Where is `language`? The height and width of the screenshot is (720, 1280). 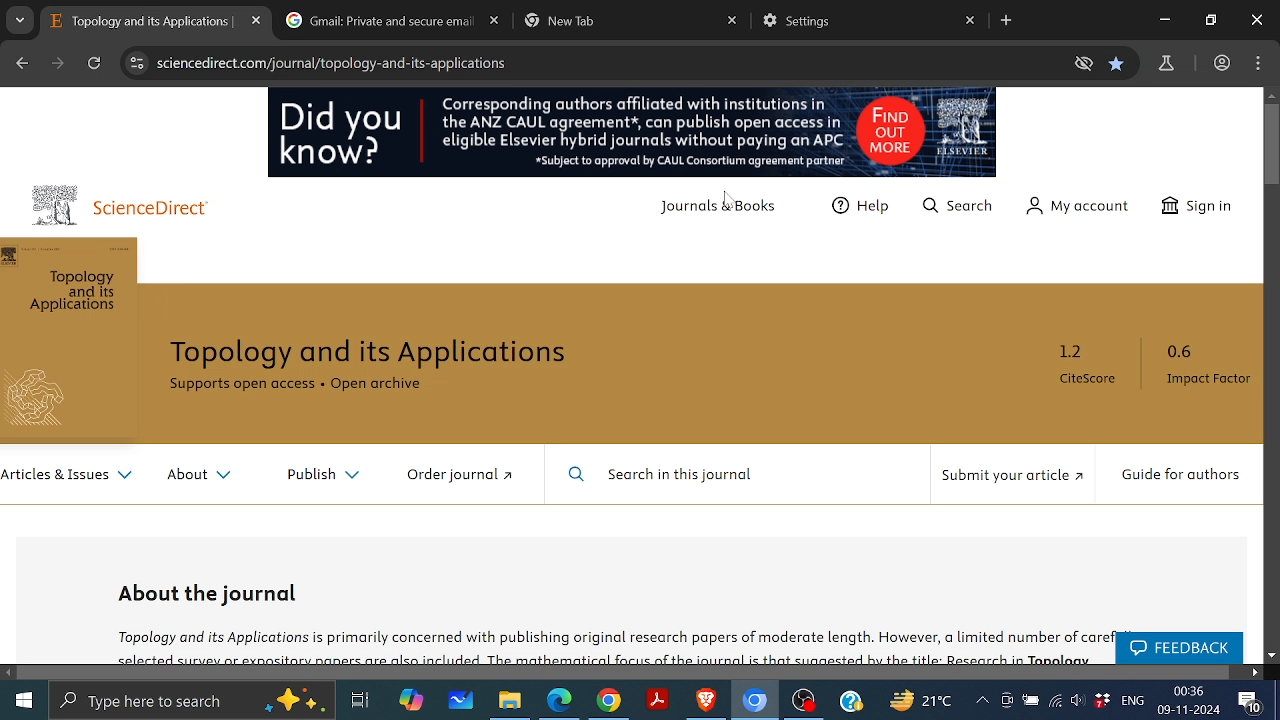
language is located at coordinates (1132, 701).